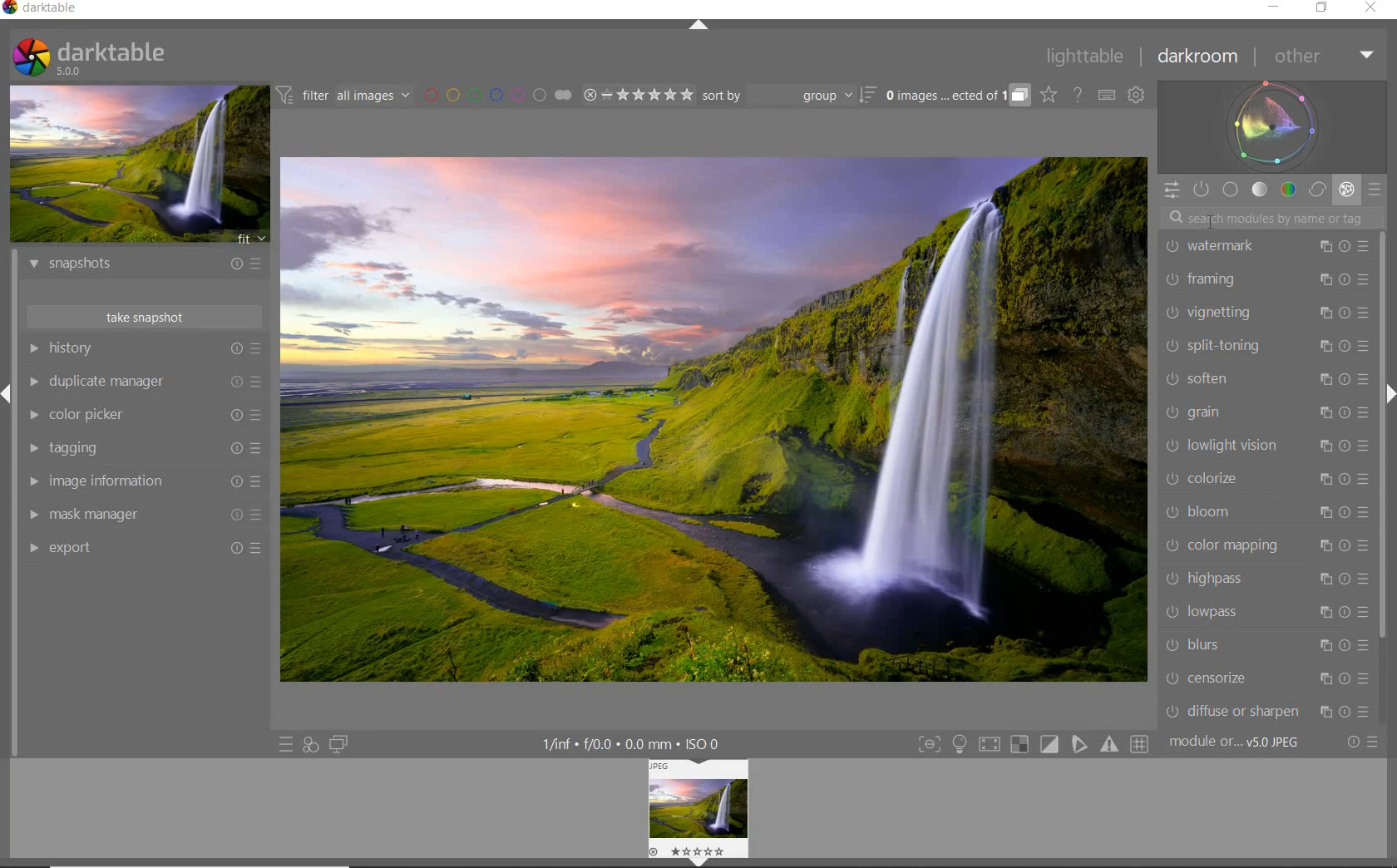  What do you see at coordinates (339, 744) in the screenshot?
I see `DISPLAY A SECOND DARKROOM IMAGE WINDOW` at bounding box center [339, 744].